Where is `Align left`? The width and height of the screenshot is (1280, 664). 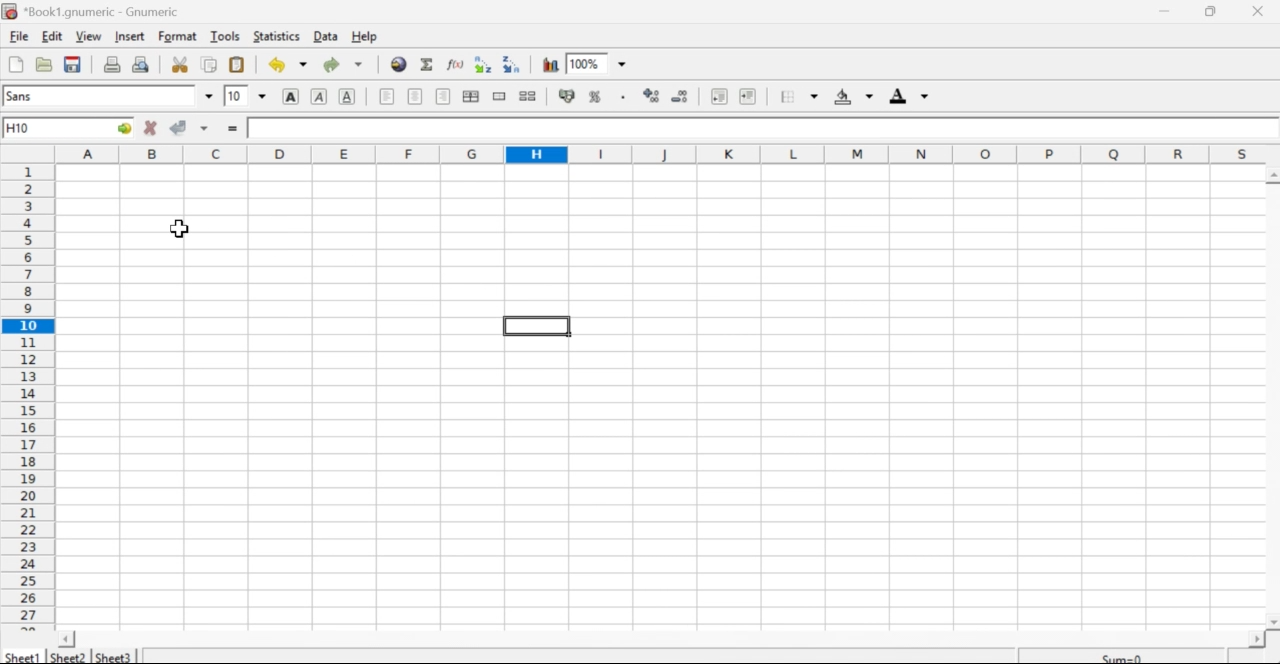
Align left is located at coordinates (387, 97).